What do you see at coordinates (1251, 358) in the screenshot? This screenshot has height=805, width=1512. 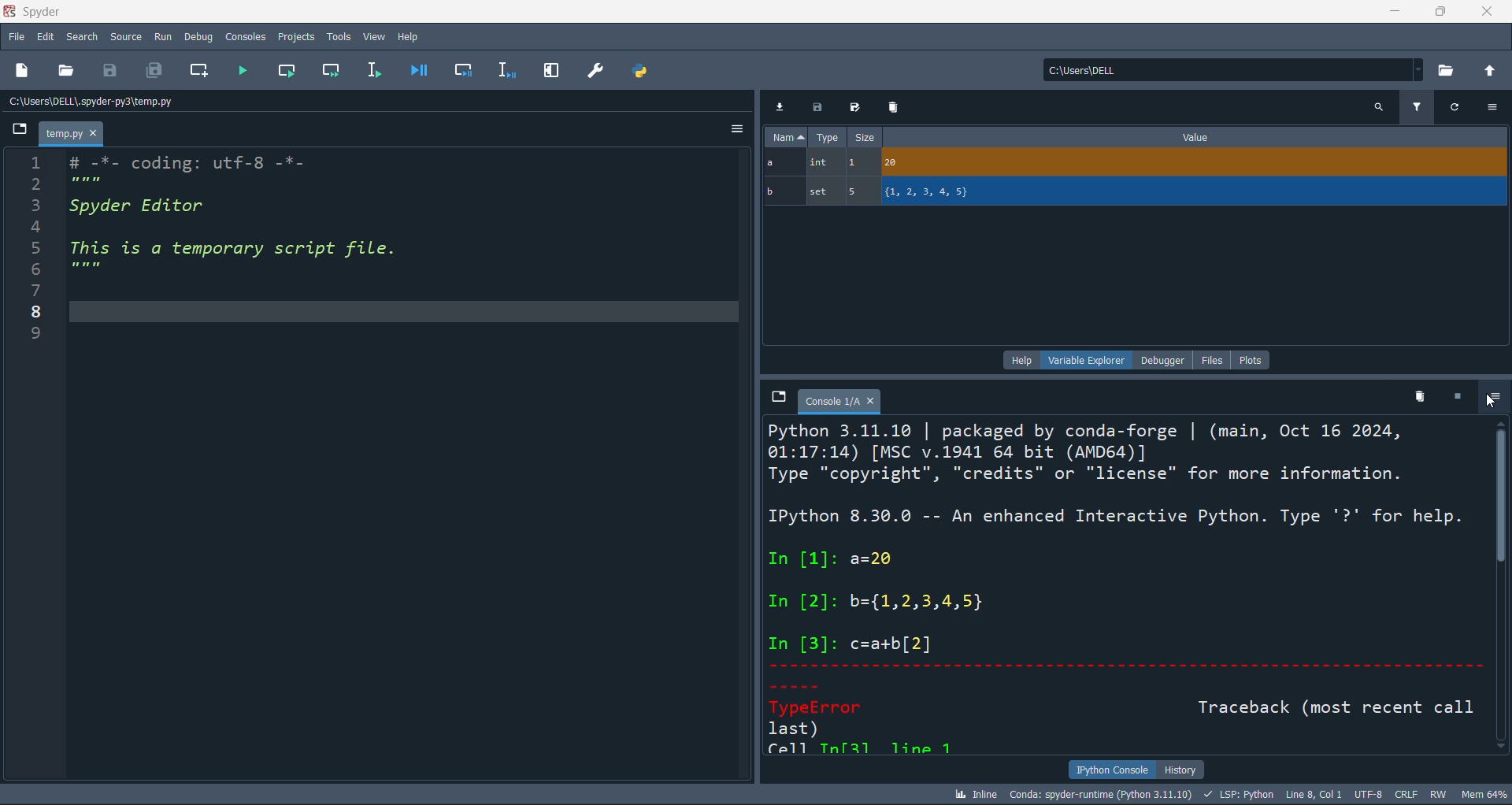 I see `plots` at bounding box center [1251, 358].